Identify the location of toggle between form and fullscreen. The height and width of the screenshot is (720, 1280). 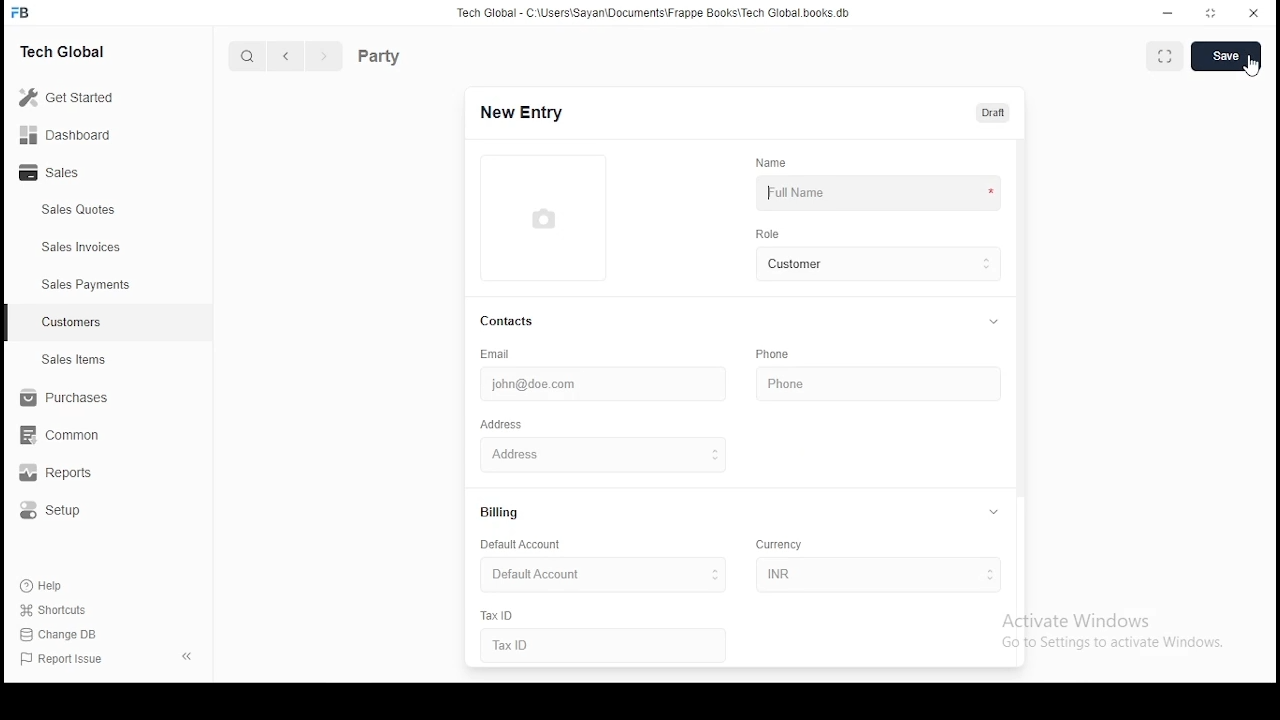
(1168, 53).